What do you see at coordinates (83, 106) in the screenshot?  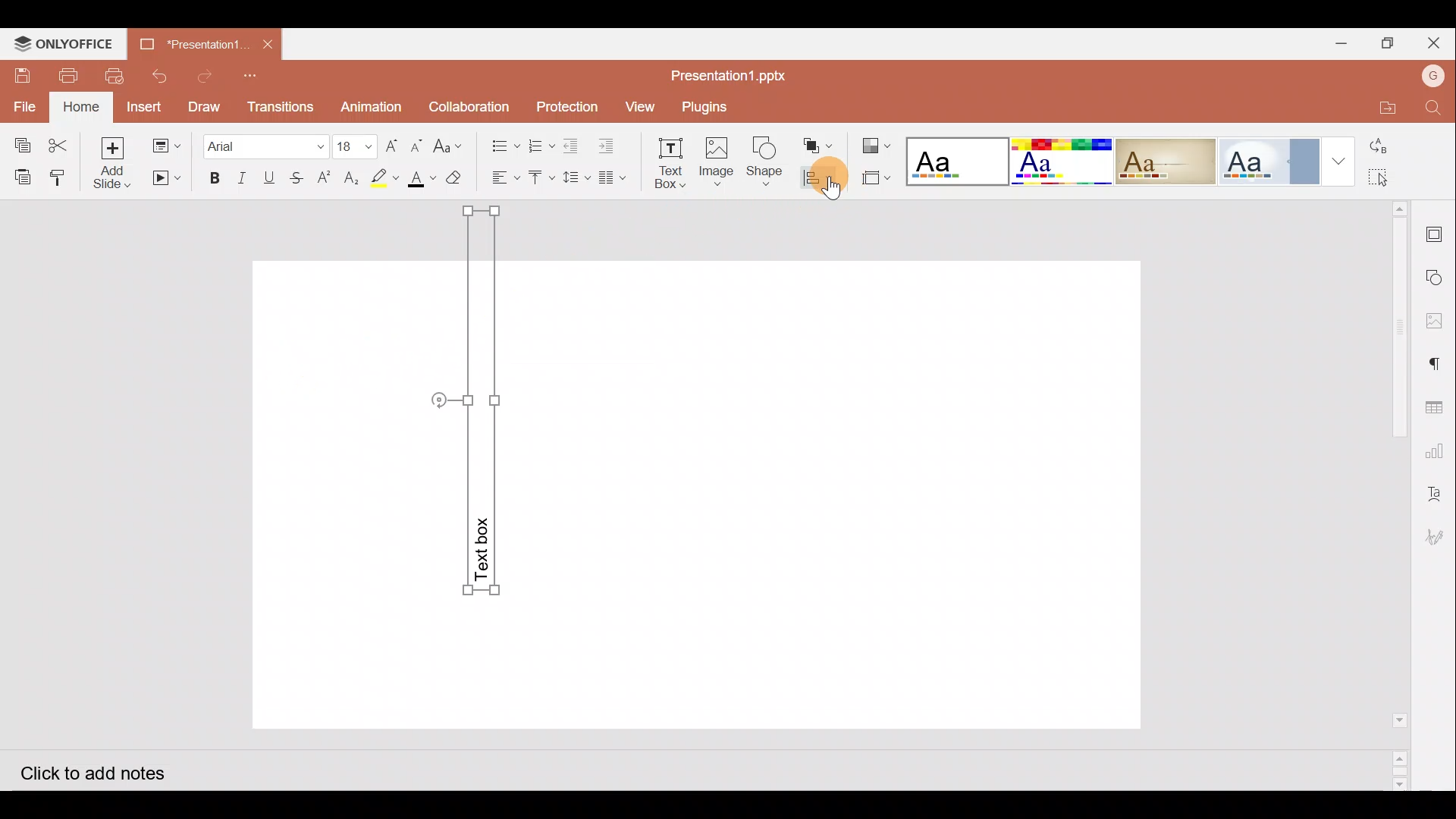 I see `Home` at bounding box center [83, 106].